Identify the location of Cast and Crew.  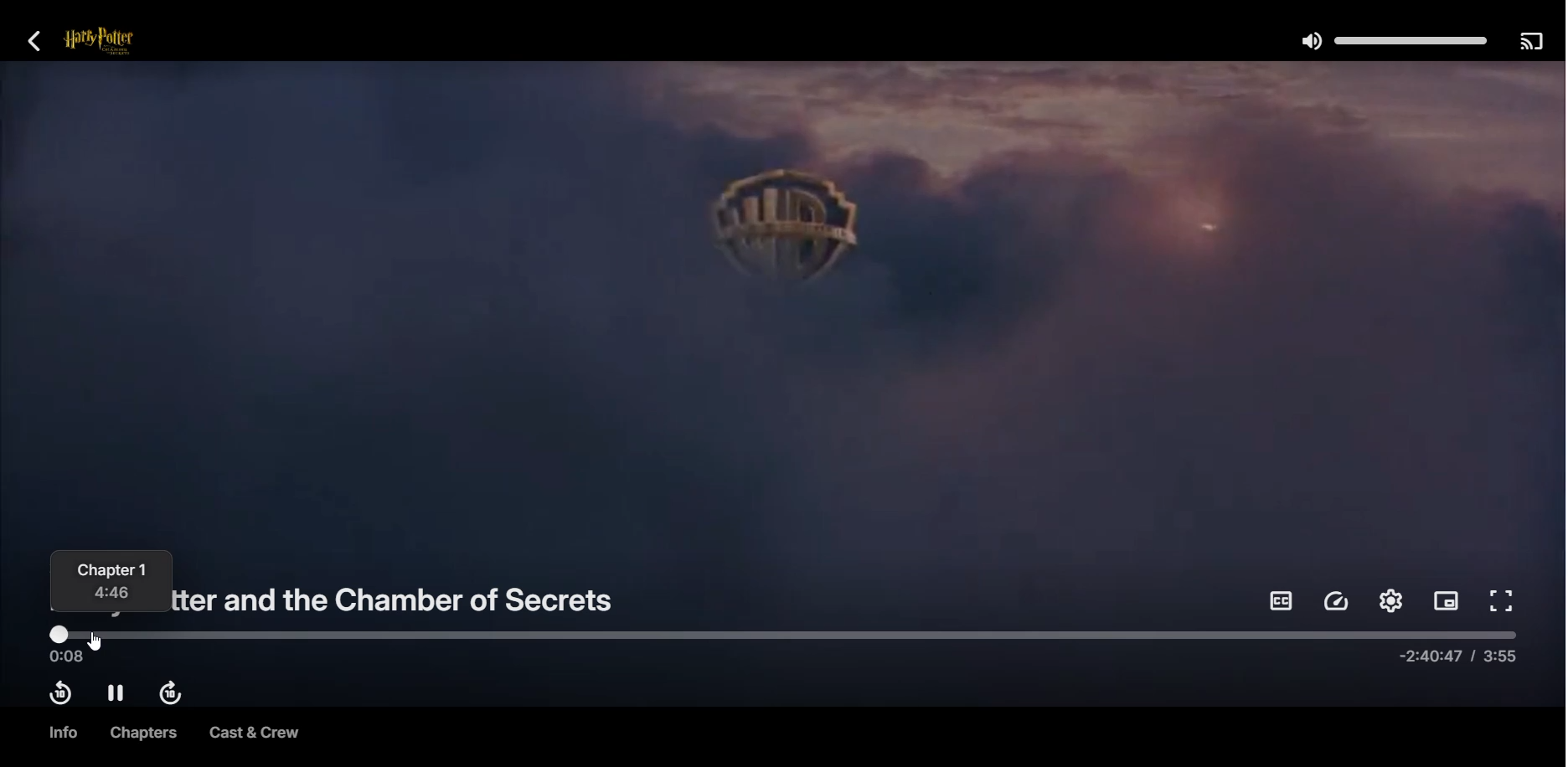
(254, 734).